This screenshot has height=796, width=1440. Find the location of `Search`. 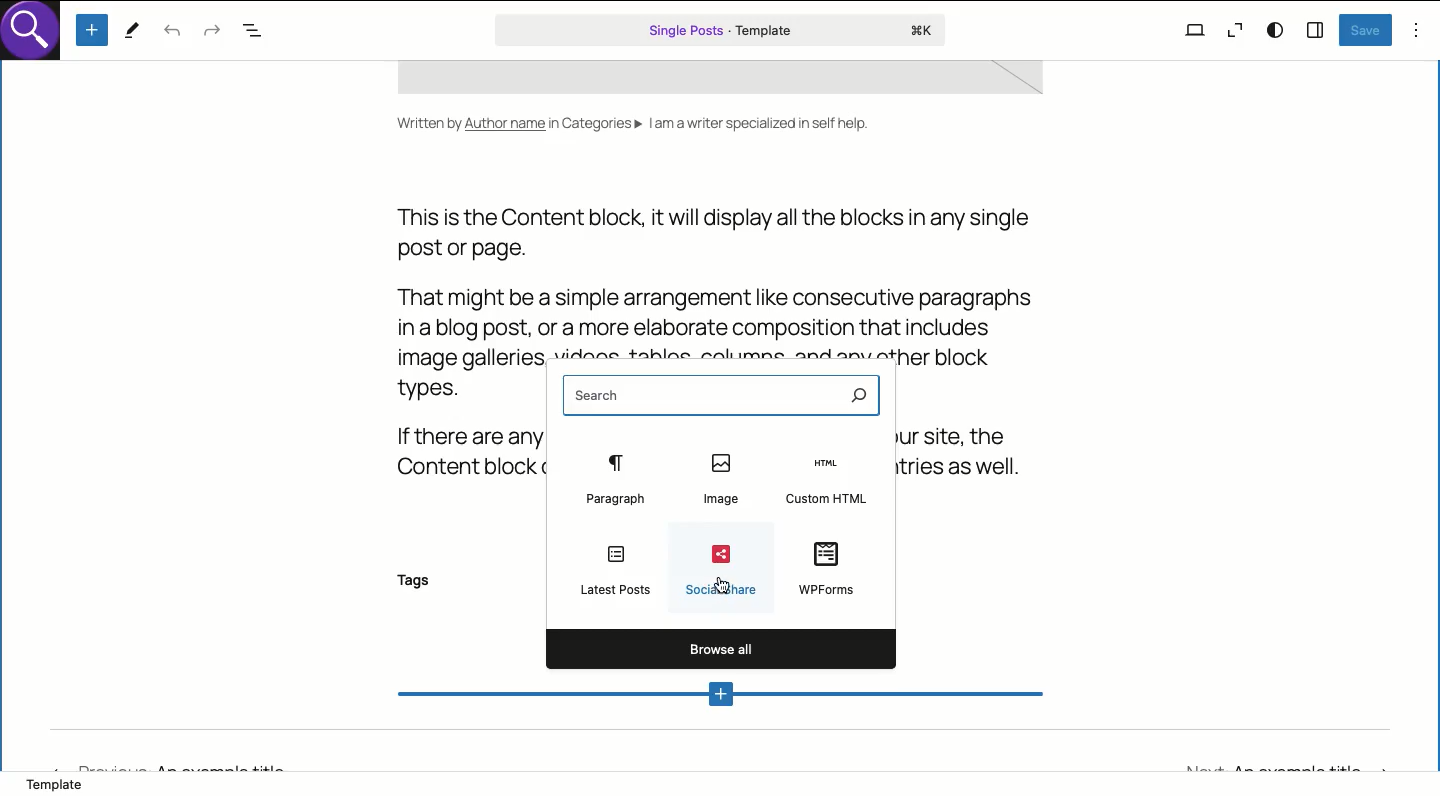

Search is located at coordinates (721, 395).